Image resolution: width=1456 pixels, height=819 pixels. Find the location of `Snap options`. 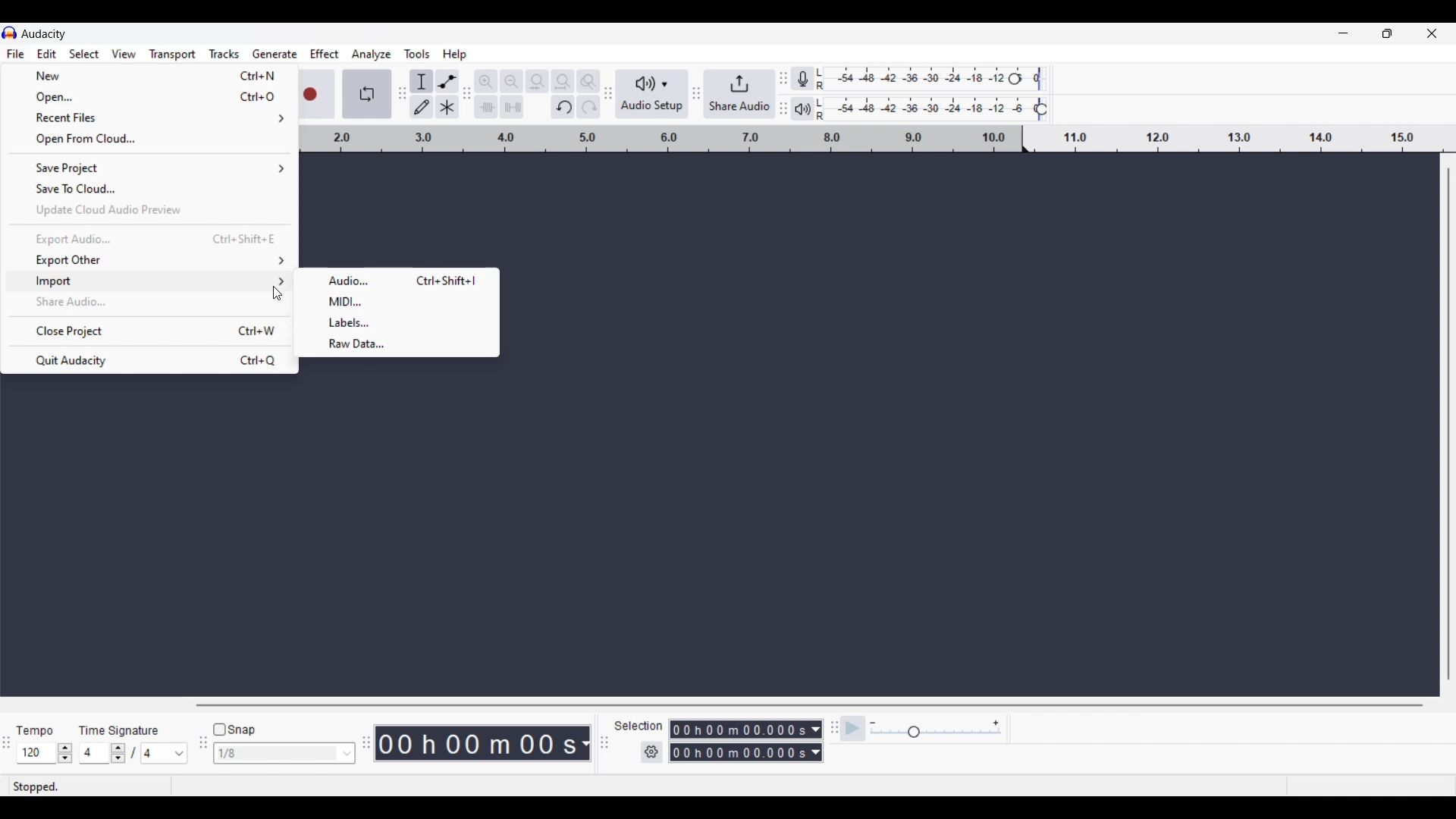

Snap options is located at coordinates (347, 753).